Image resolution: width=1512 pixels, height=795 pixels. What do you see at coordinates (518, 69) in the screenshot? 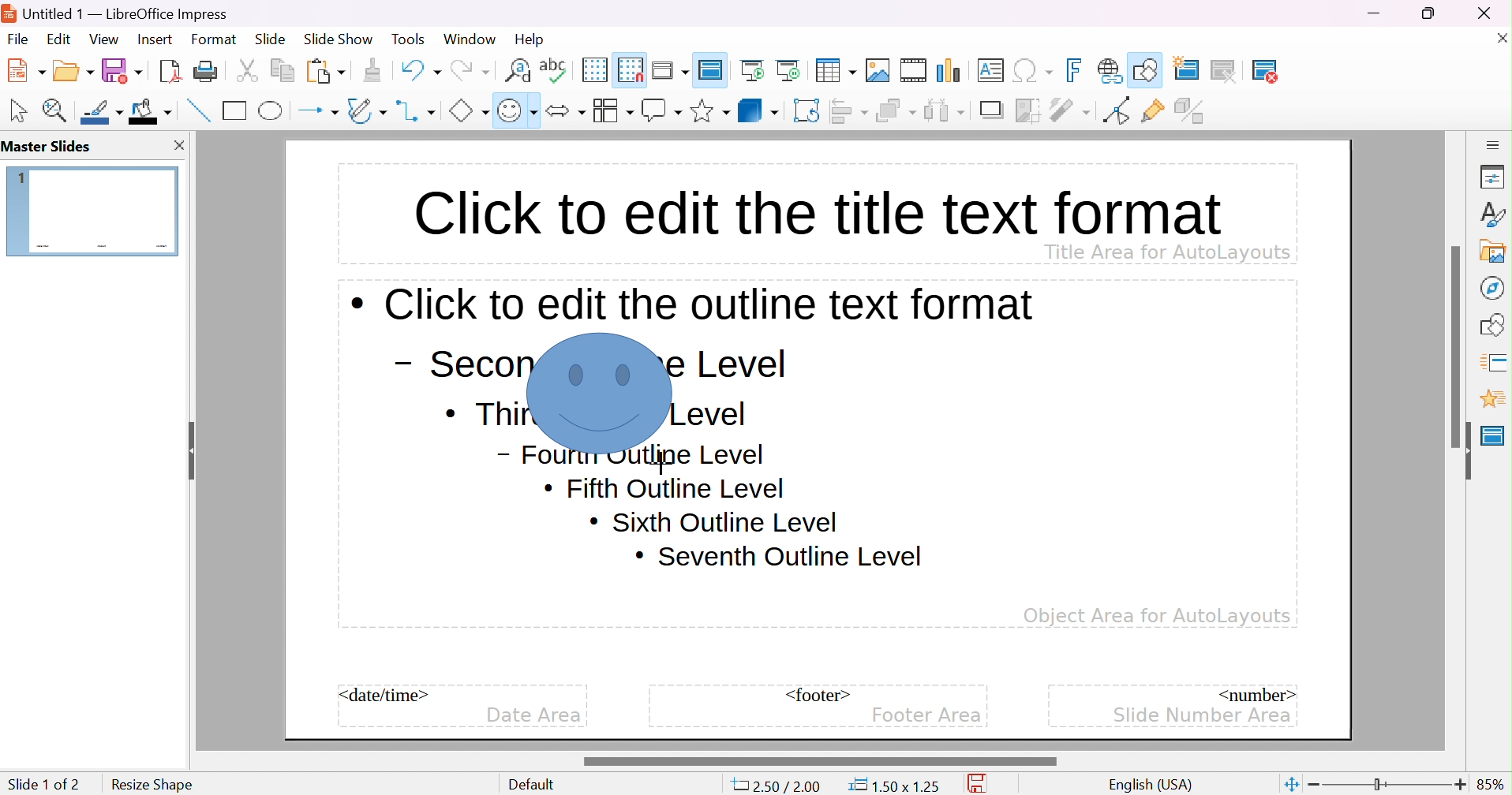
I see `find and replace` at bounding box center [518, 69].